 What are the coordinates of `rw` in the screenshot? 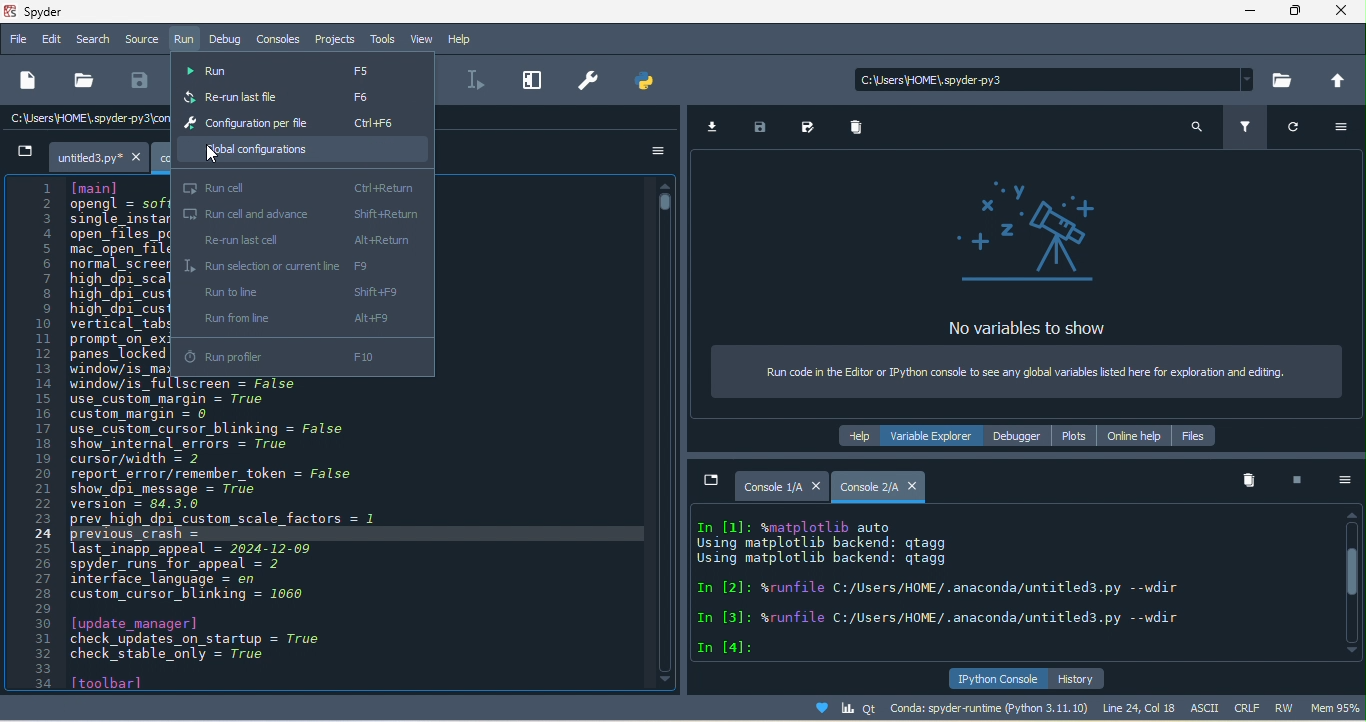 It's located at (1290, 707).